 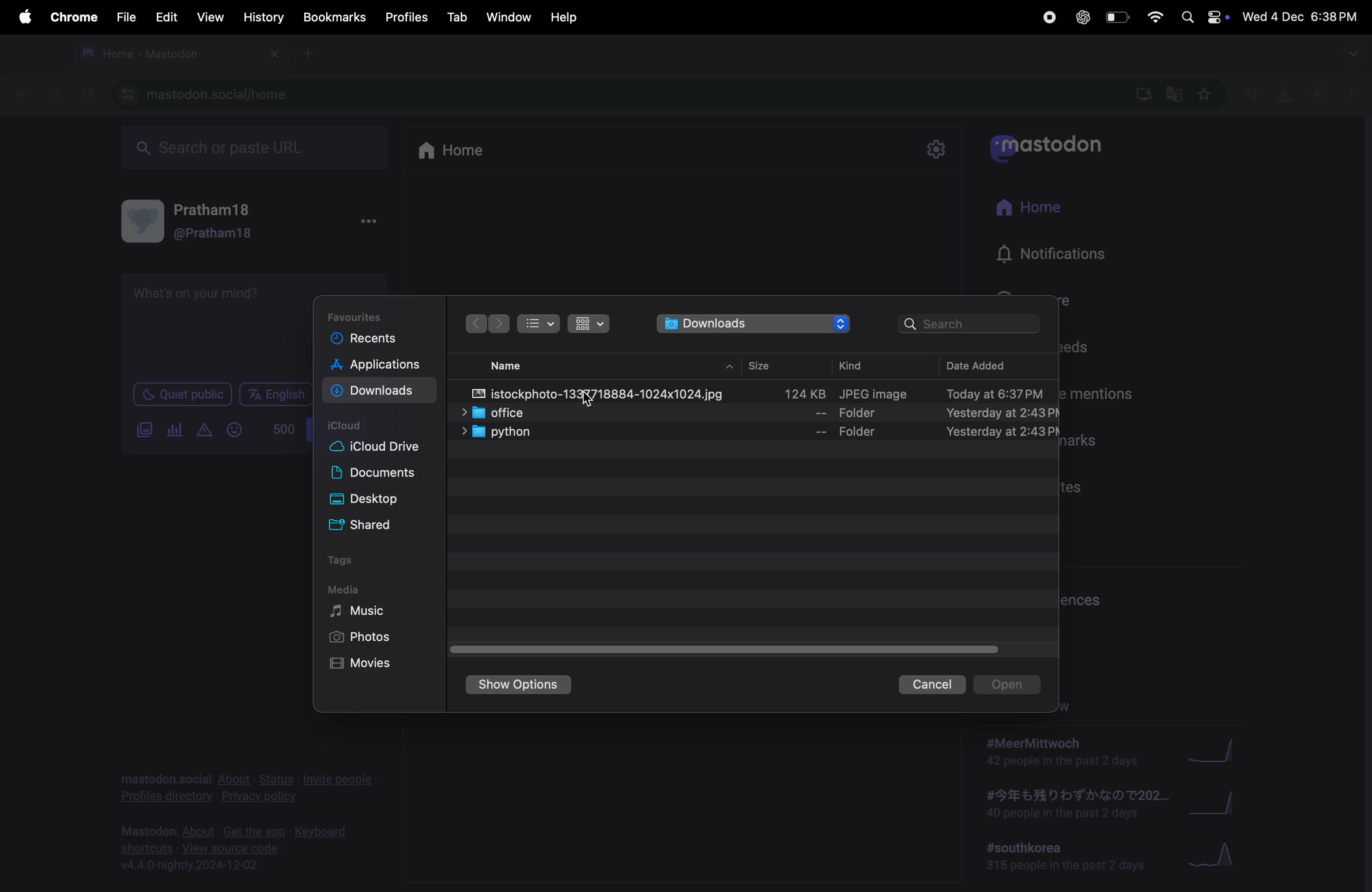 What do you see at coordinates (991, 364) in the screenshot?
I see `date added` at bounding box center [991, 364].